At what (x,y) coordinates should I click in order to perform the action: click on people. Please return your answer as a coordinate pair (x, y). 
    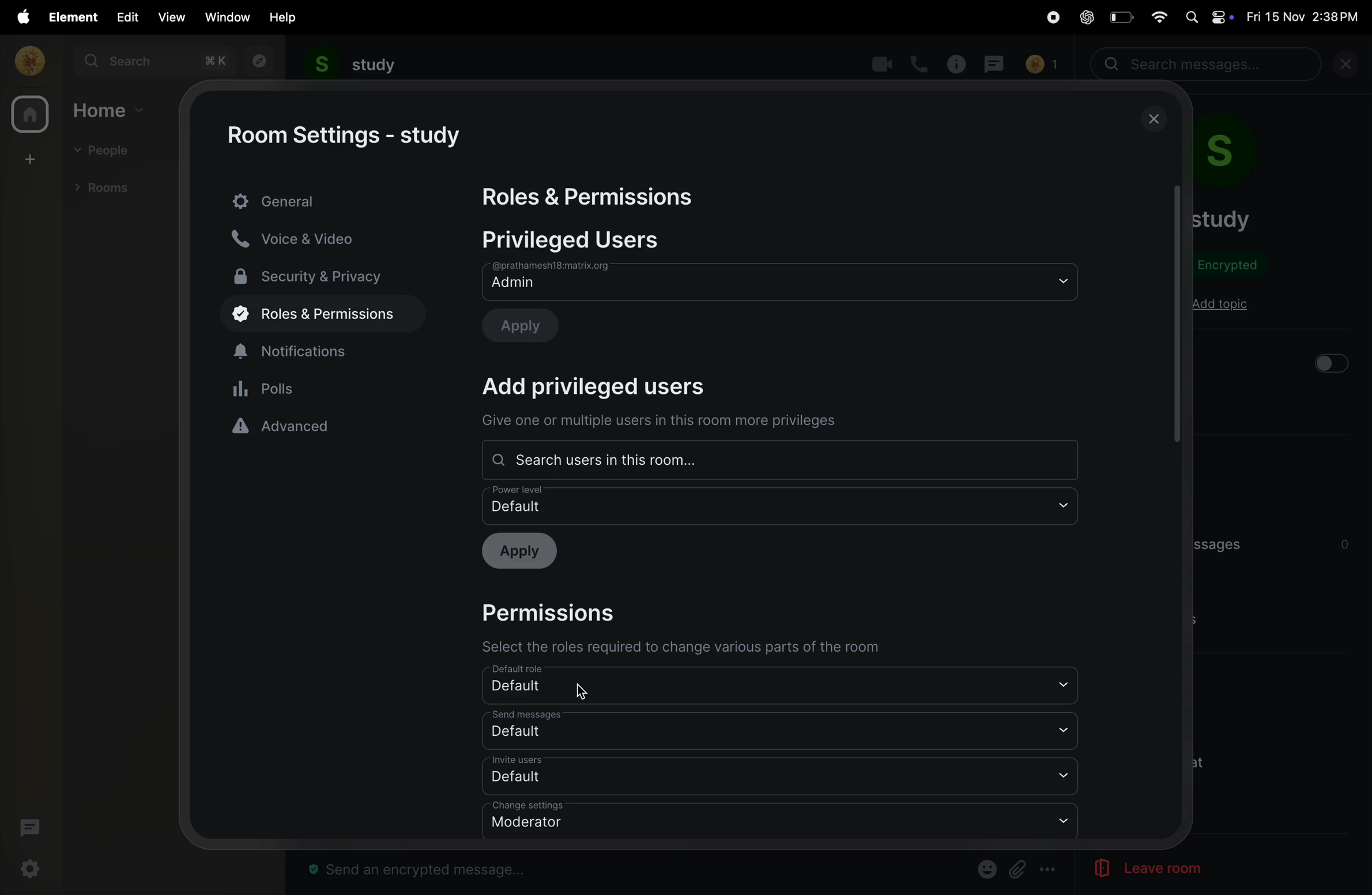
    Looking at the image, I should click on (107, 152).